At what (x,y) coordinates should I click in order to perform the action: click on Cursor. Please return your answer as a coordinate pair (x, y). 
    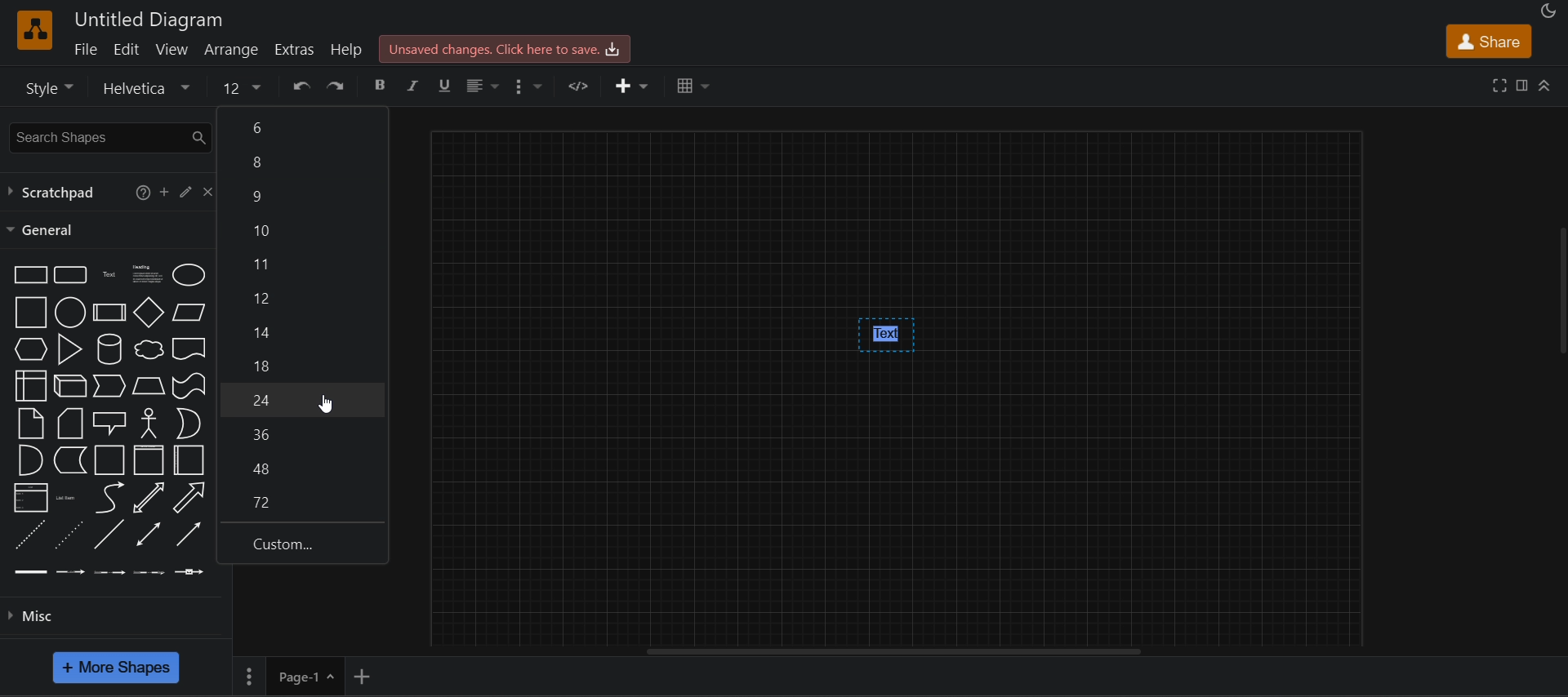
    Looking at the image, I should click on (325, 404).